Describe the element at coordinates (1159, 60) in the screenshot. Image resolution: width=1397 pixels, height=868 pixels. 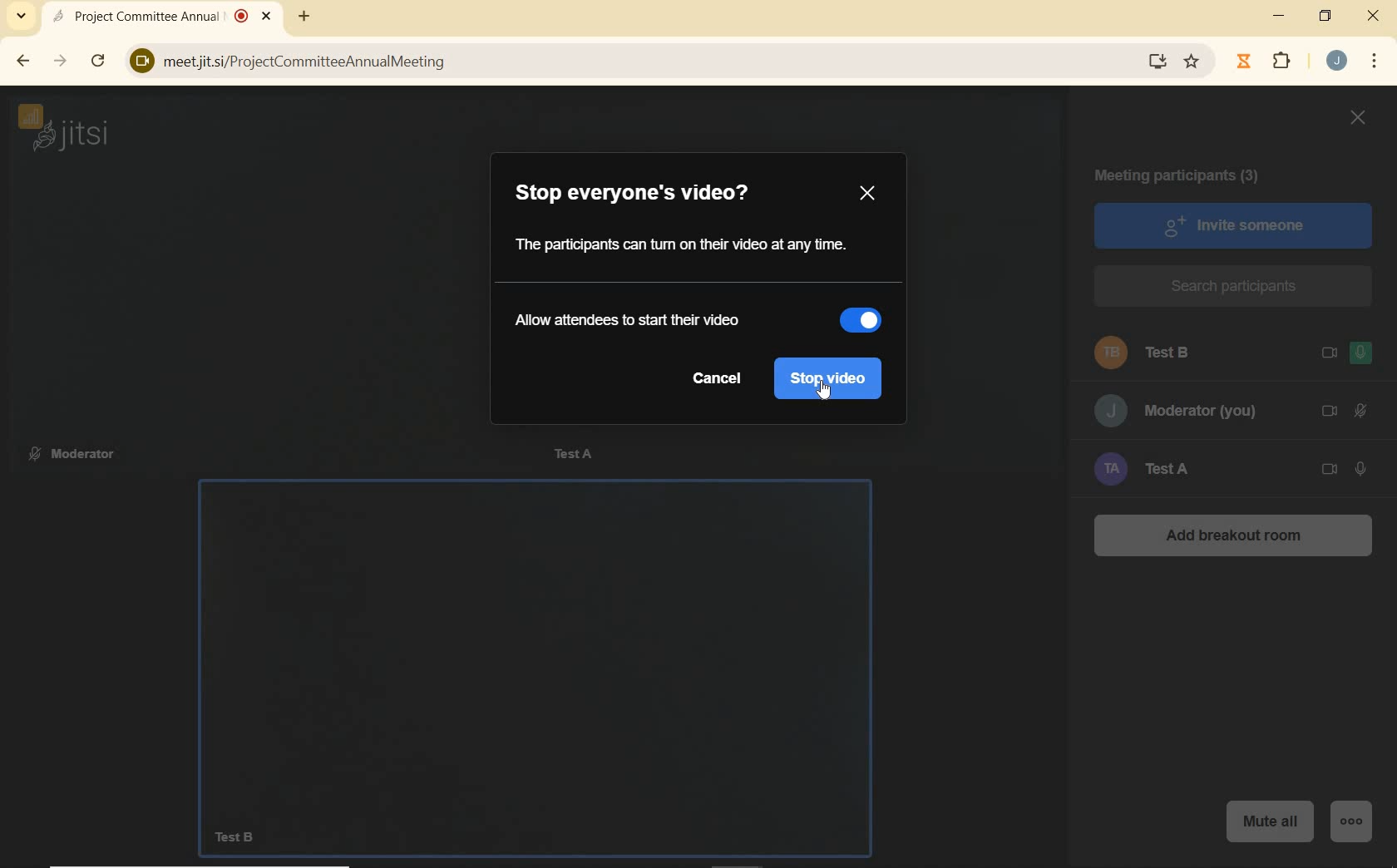
I see `download website` at that location.